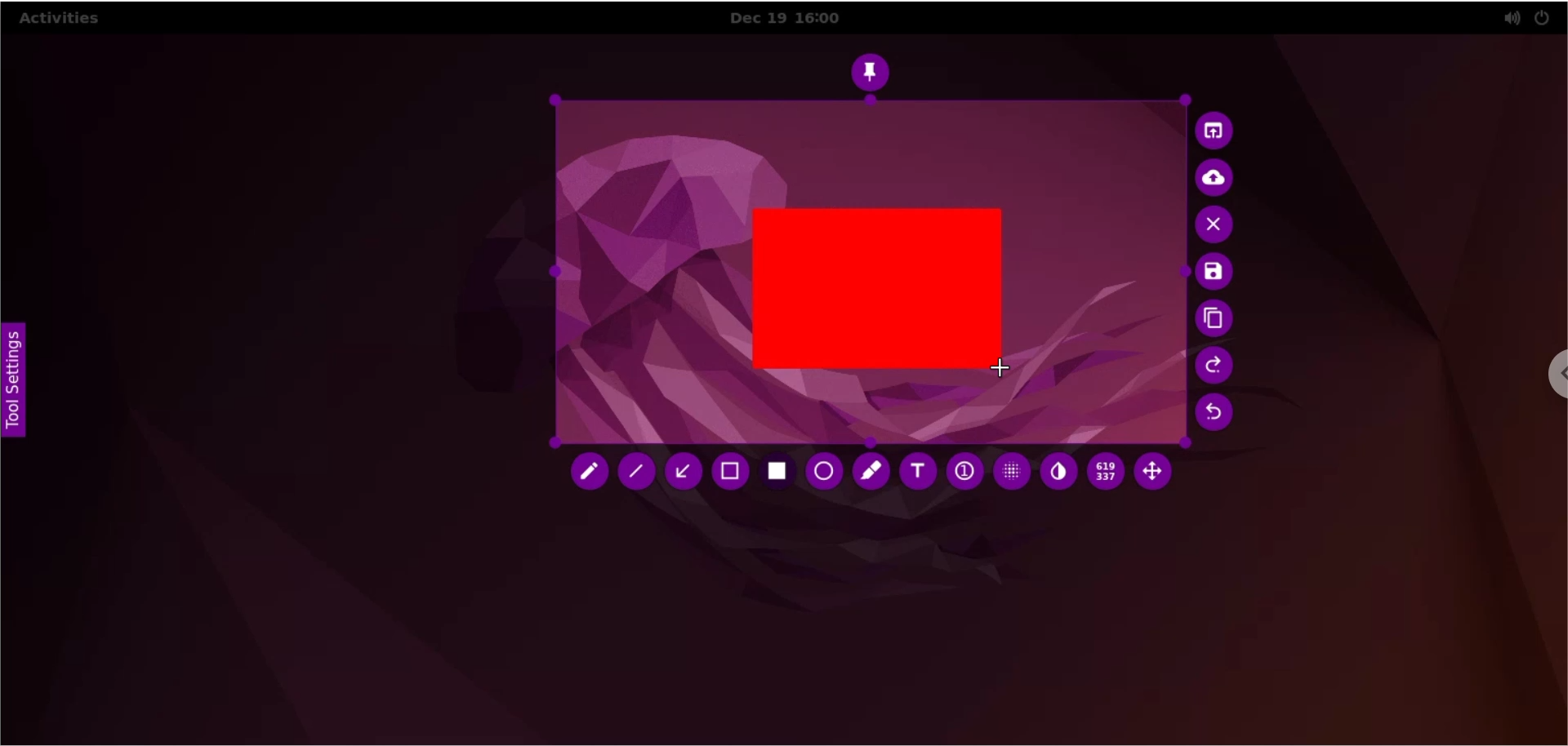  Describe the element at coordinates (640, 473) in the screenshot. I see `line tool` at that location.